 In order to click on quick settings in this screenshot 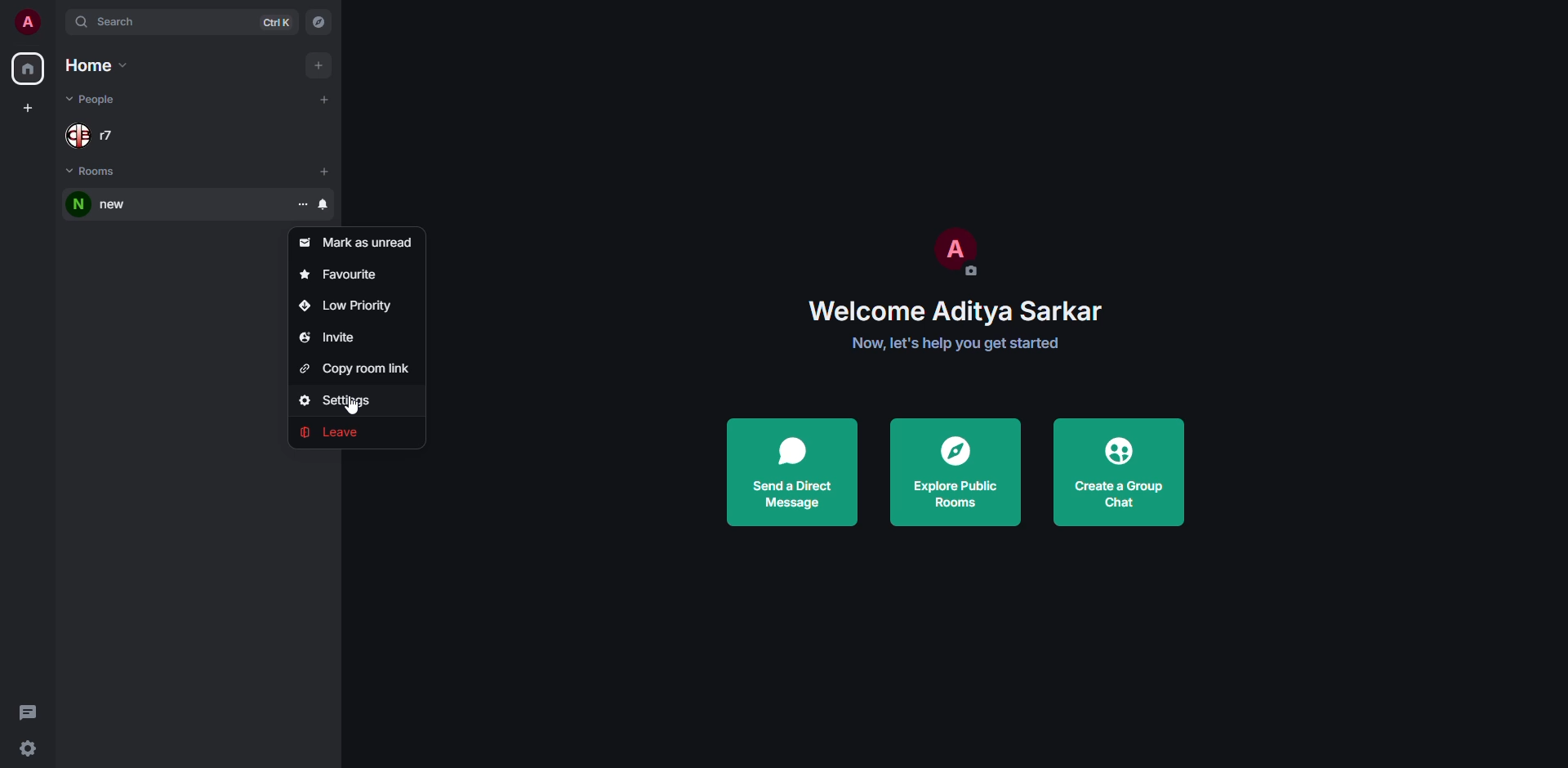, I will do `click(29, 748)`.